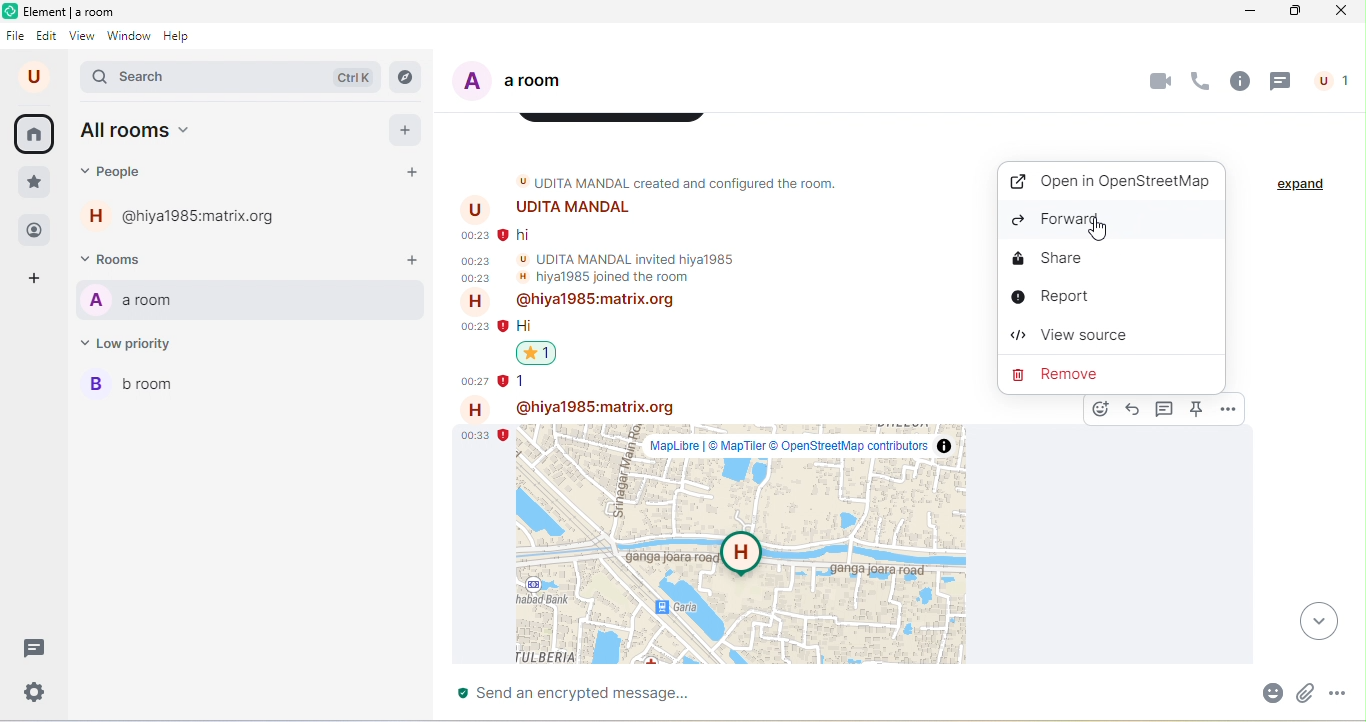 This screenshot has height=722, width=1366. I want to click on share, so click(1075, 259).